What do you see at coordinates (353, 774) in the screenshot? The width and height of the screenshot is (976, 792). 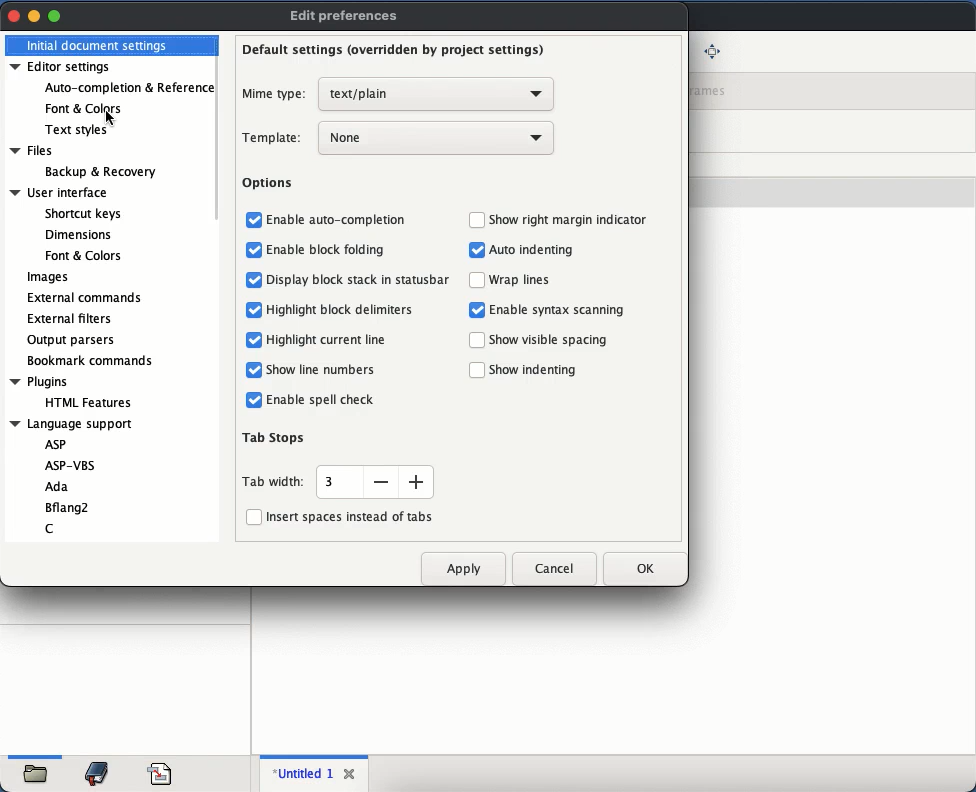 I see `close` at bounding box center [353, 774].